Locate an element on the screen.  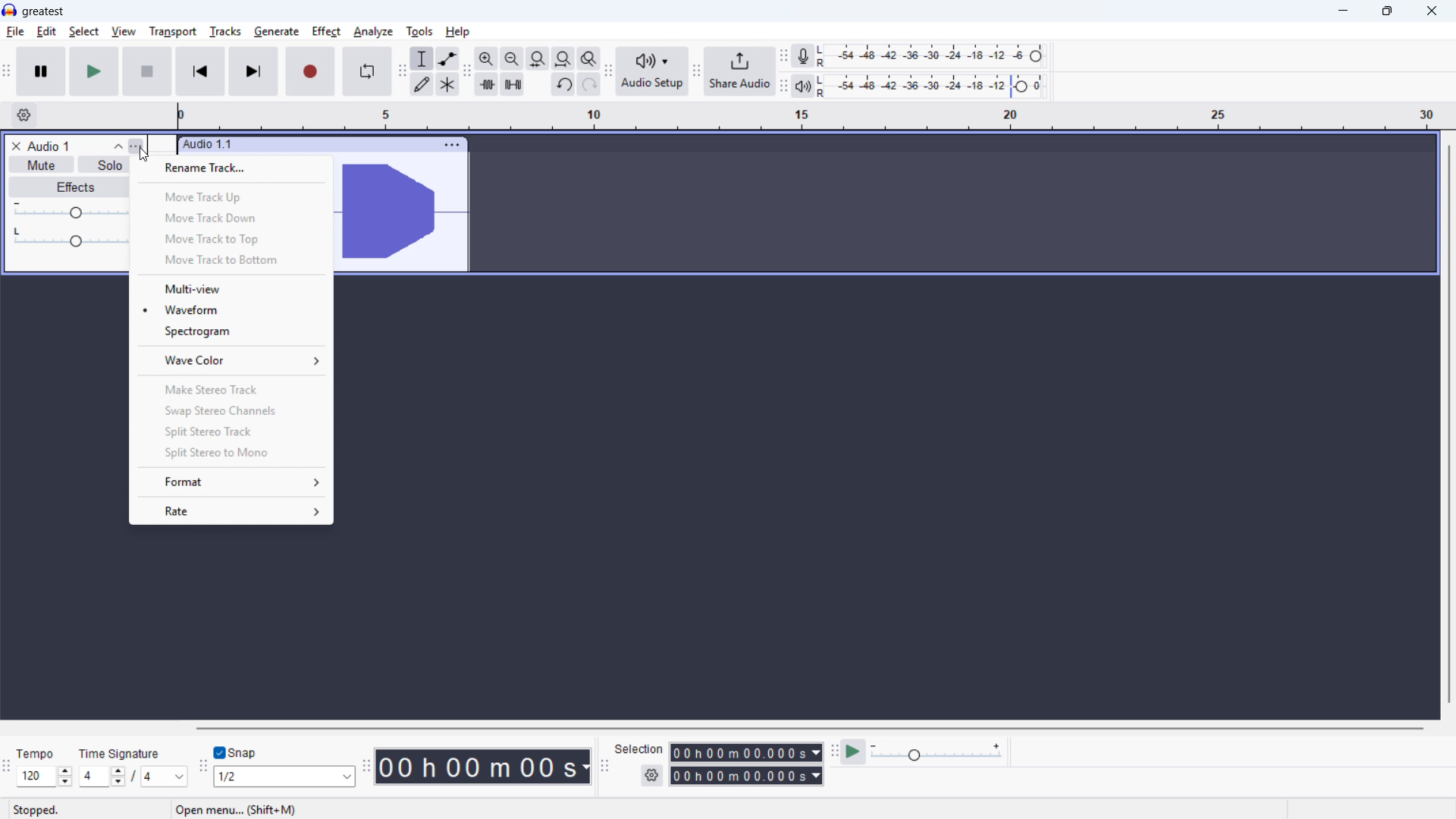
solo is located at coordinates (102, 165).